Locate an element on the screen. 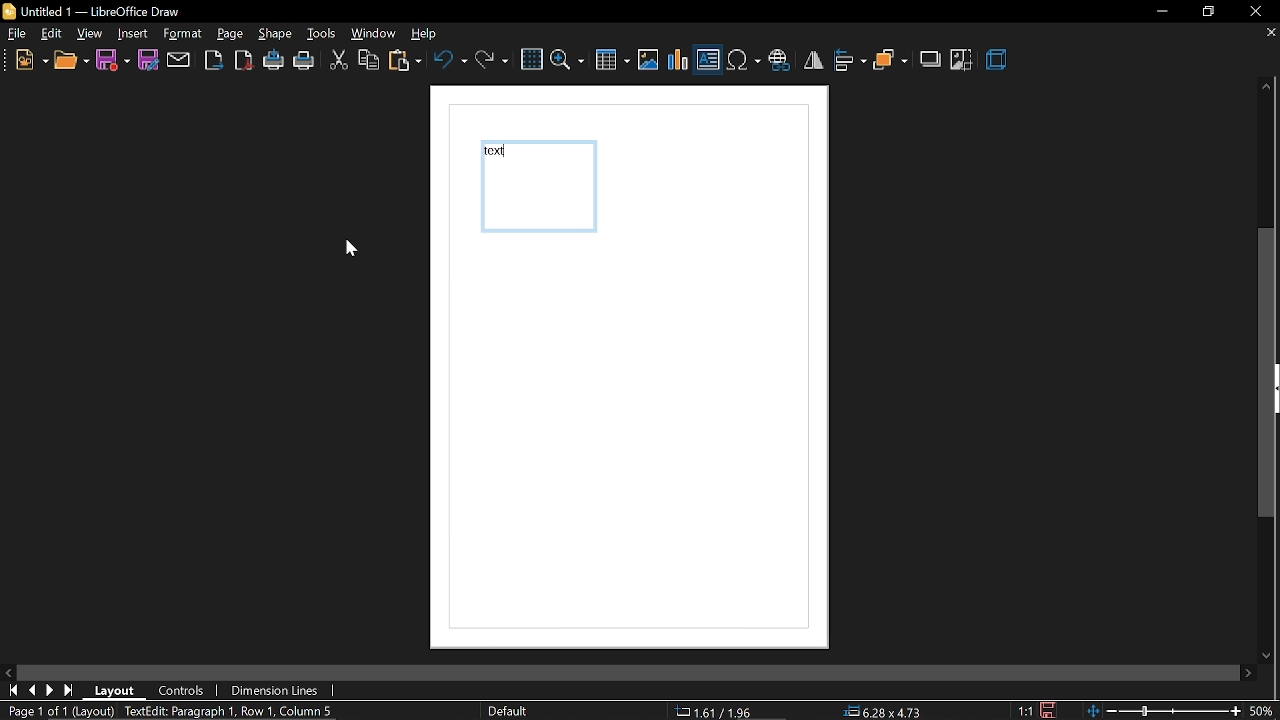  insert text is located at coordinates (708, 62).